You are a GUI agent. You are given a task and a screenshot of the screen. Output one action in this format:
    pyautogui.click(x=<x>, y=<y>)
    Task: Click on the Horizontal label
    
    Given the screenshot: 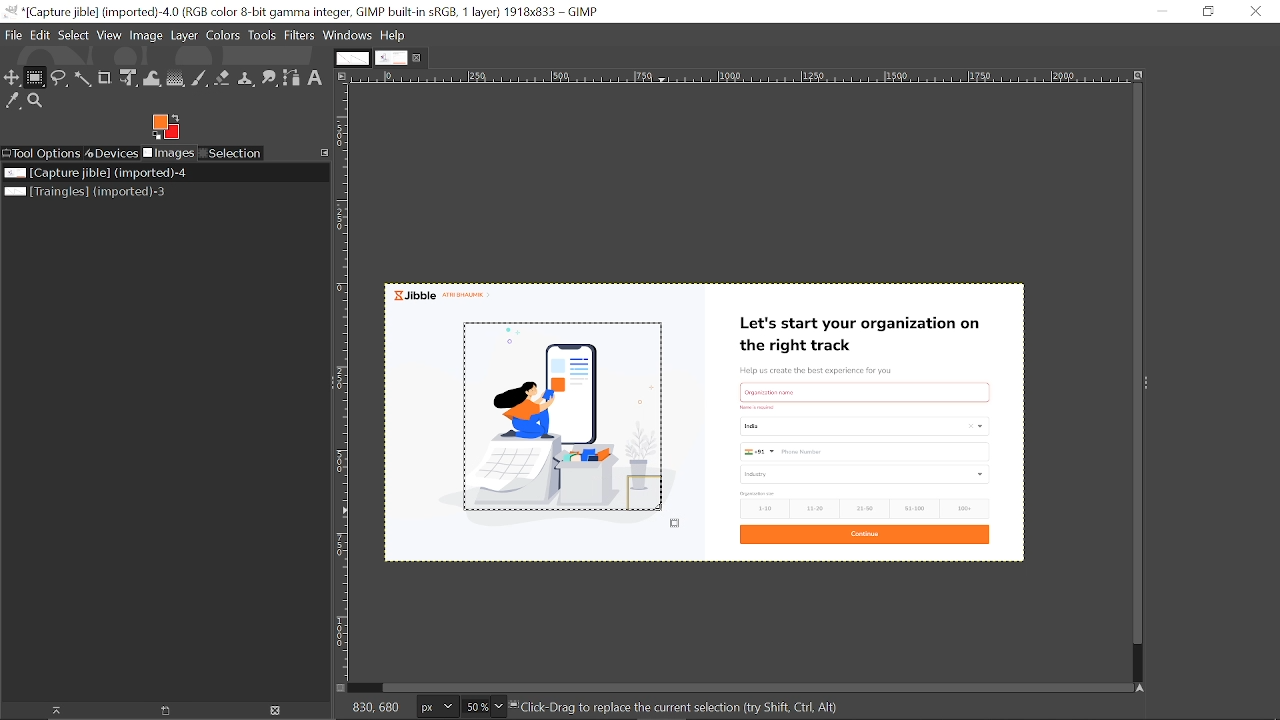 What is the action you would take?
    pyautogui.click(x=647, y=77)
    